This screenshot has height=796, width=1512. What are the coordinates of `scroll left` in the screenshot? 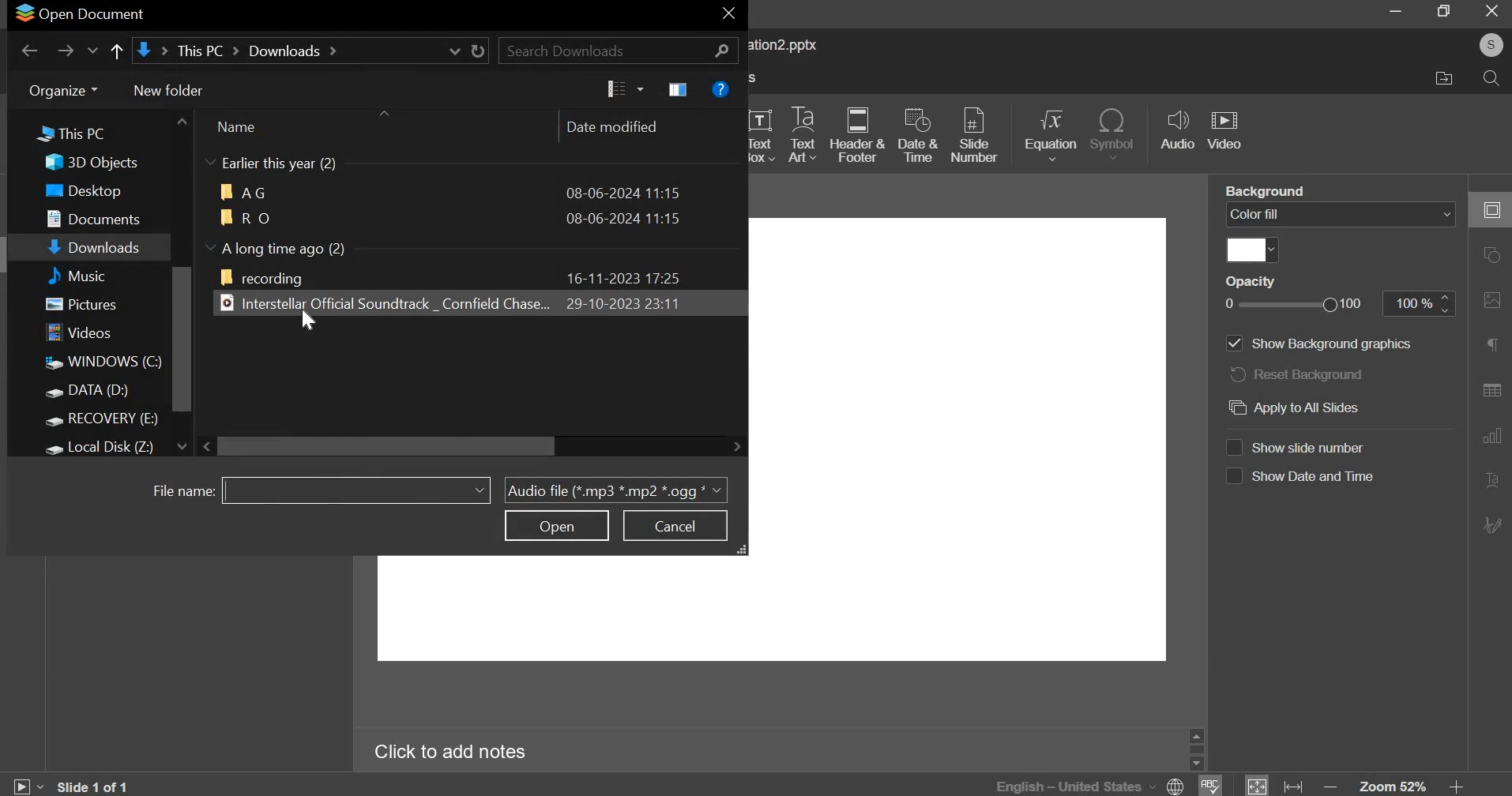 It's located at (209, 446).